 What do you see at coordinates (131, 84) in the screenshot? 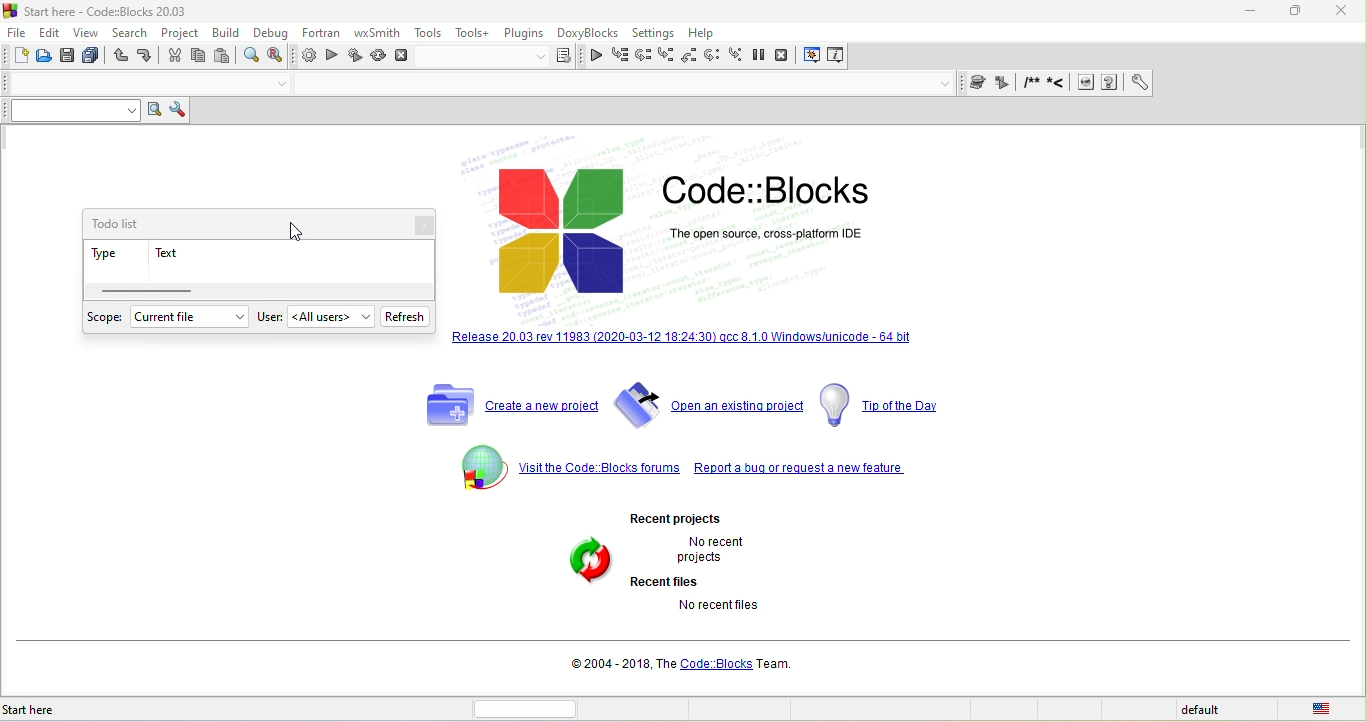
I see `open tab` at bounding box center [131, 84].